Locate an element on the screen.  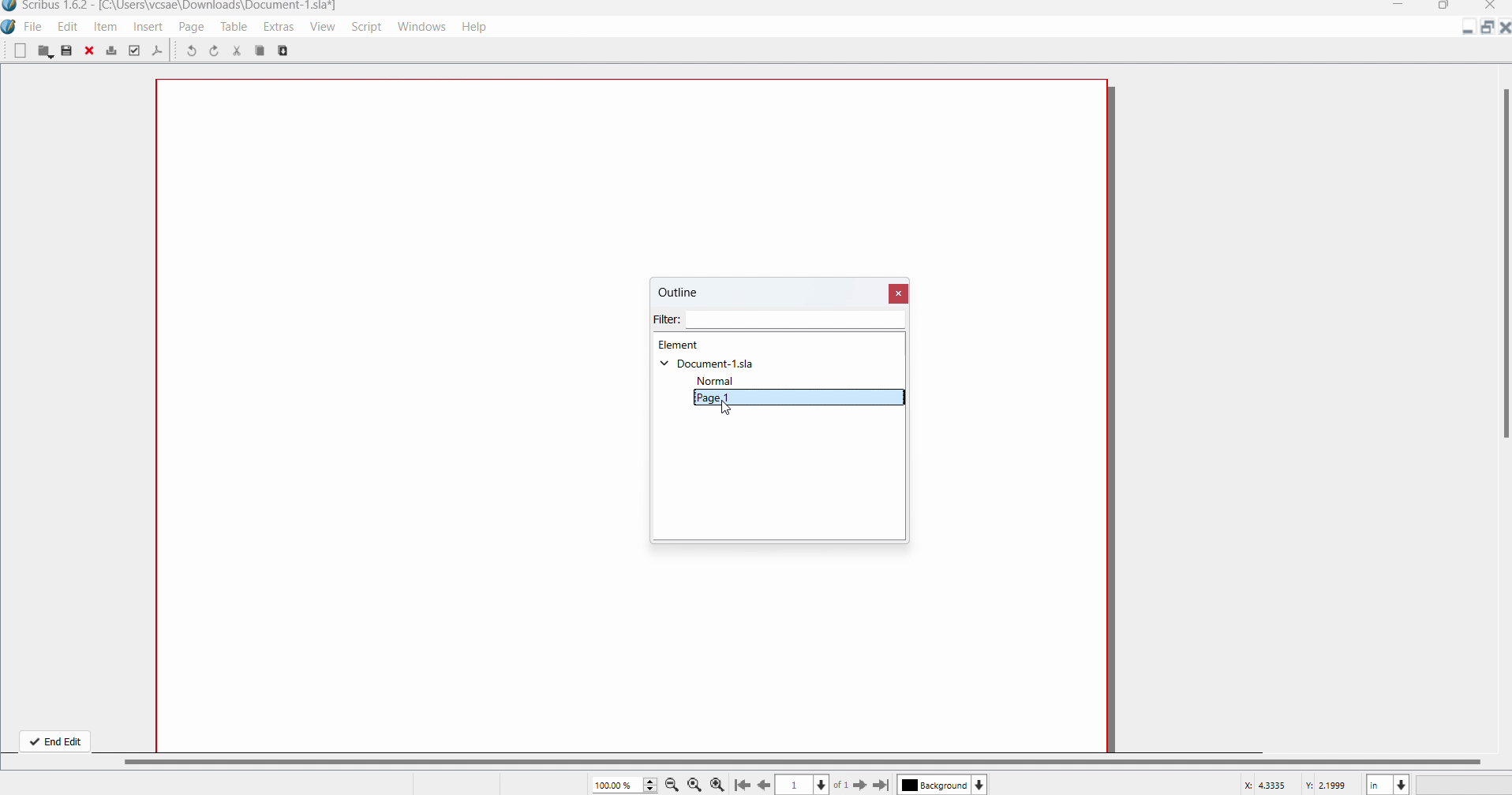
down is located at coordinates (981, 784).